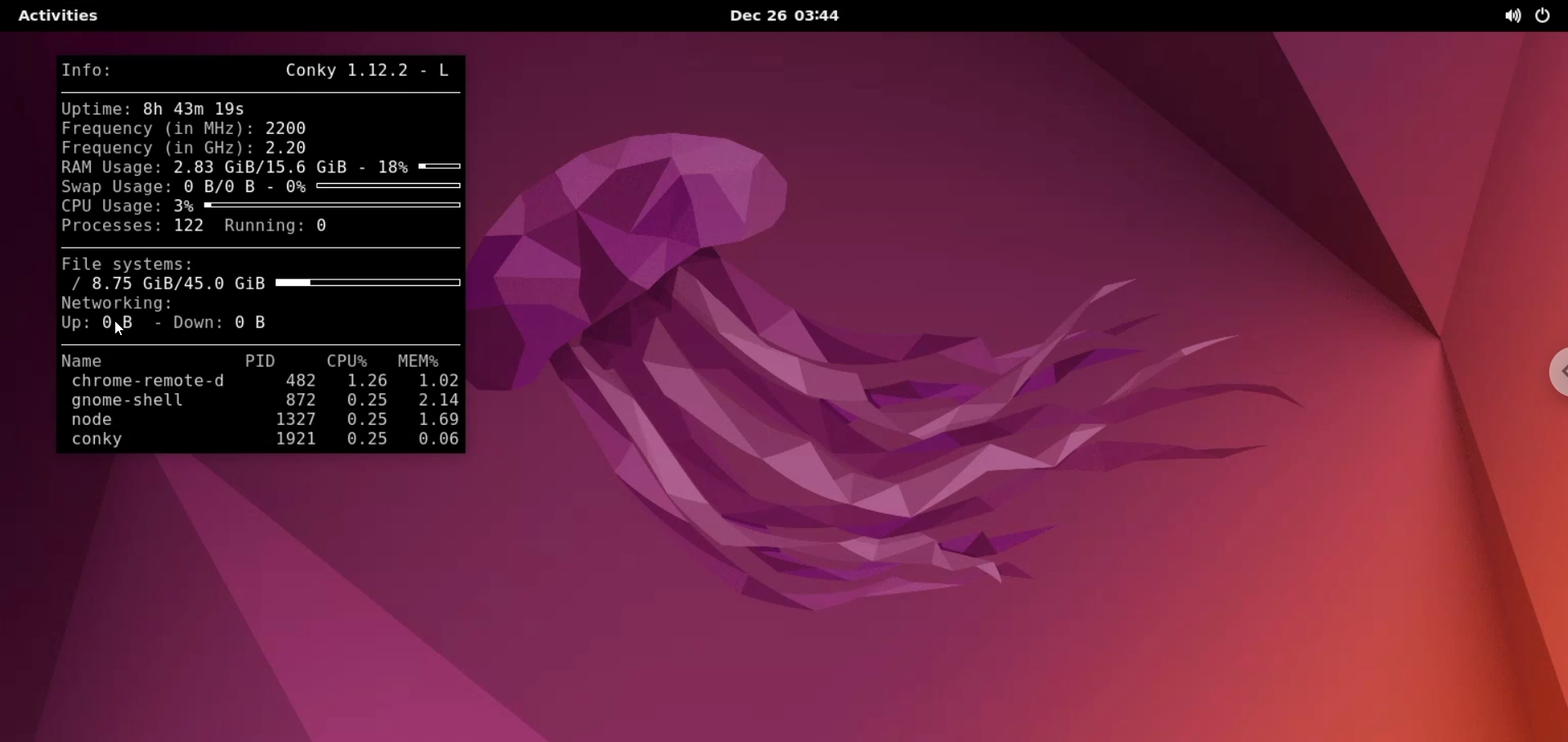 Image resolution: width=1568 pixels, height=742 pixels. Describe the element at coordinates (369, 380) in the screenshot. I see `1.26` at that location.